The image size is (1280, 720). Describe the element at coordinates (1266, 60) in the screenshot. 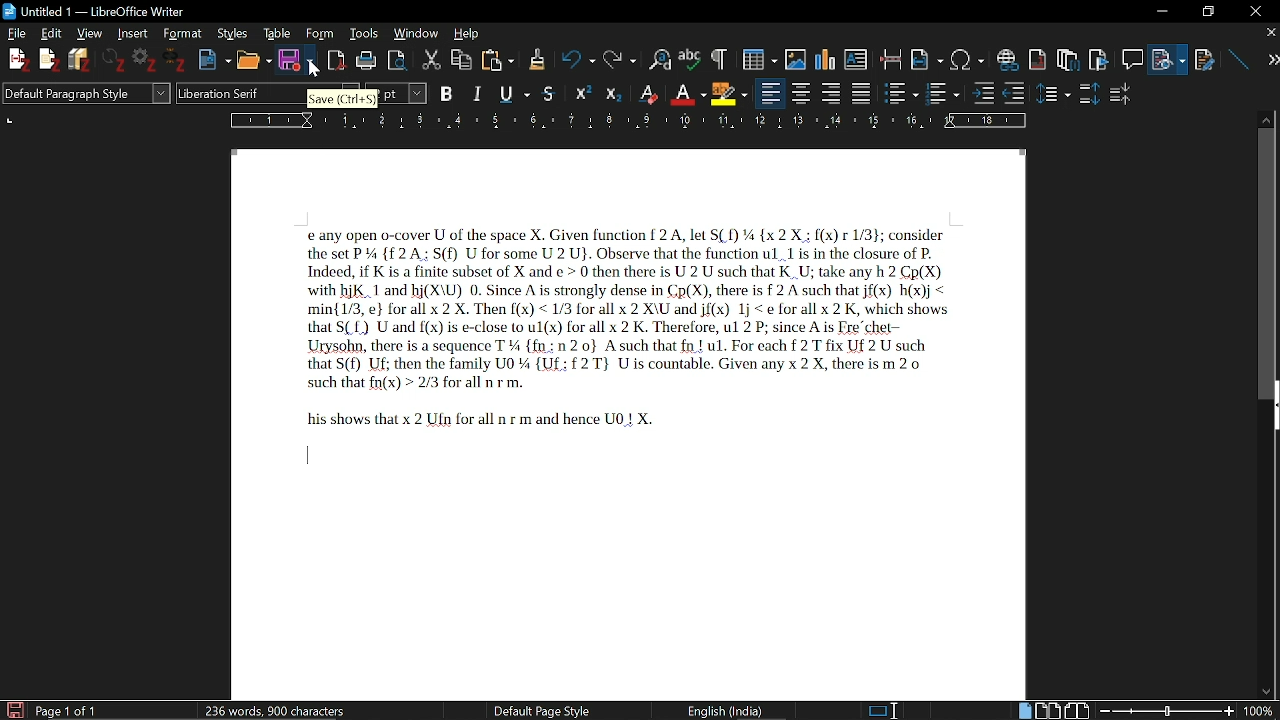

I see `next` at that location.